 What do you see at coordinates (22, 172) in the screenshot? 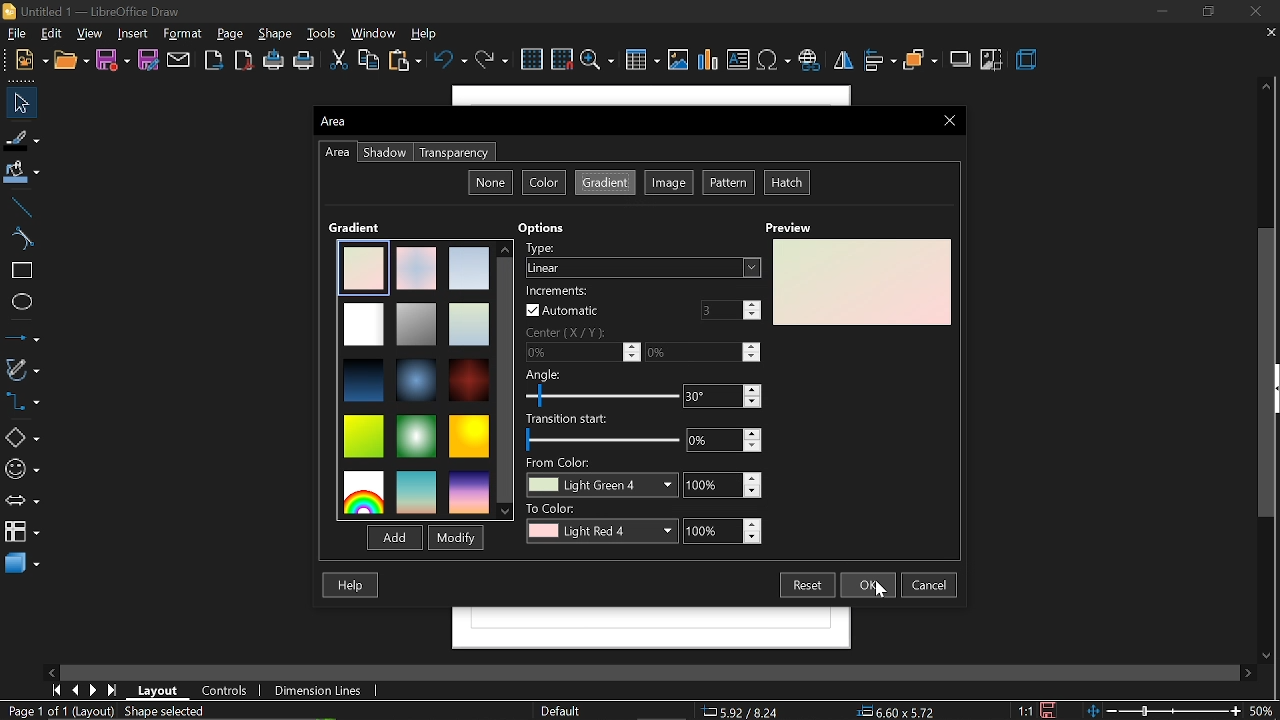
I see `fill color` at bounding box center [22, 172].